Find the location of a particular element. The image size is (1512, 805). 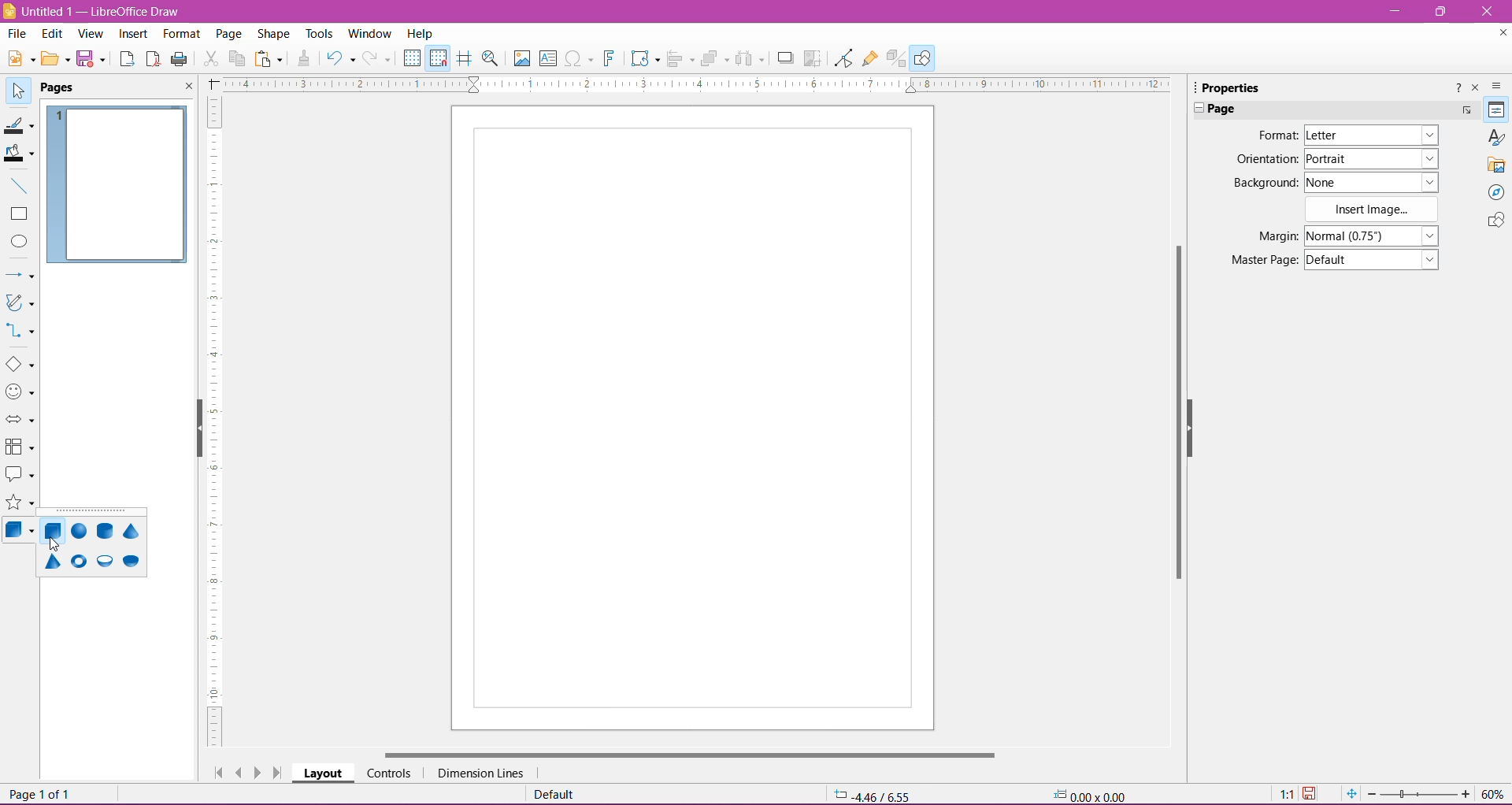

Insert Image is located at coordinates (521, 58).